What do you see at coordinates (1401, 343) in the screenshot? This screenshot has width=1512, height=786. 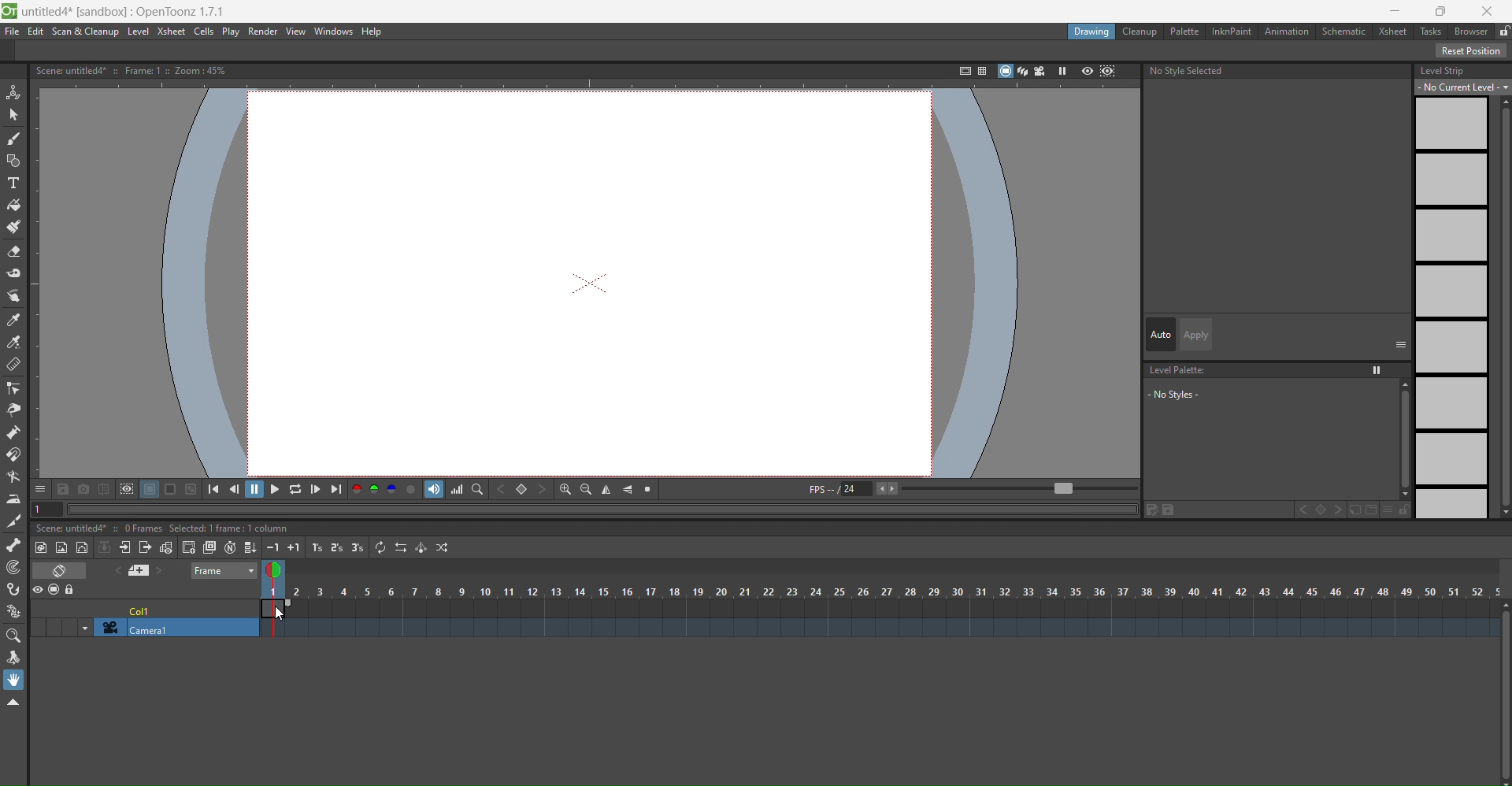 I see `options` at bounding box center [1401, 343].